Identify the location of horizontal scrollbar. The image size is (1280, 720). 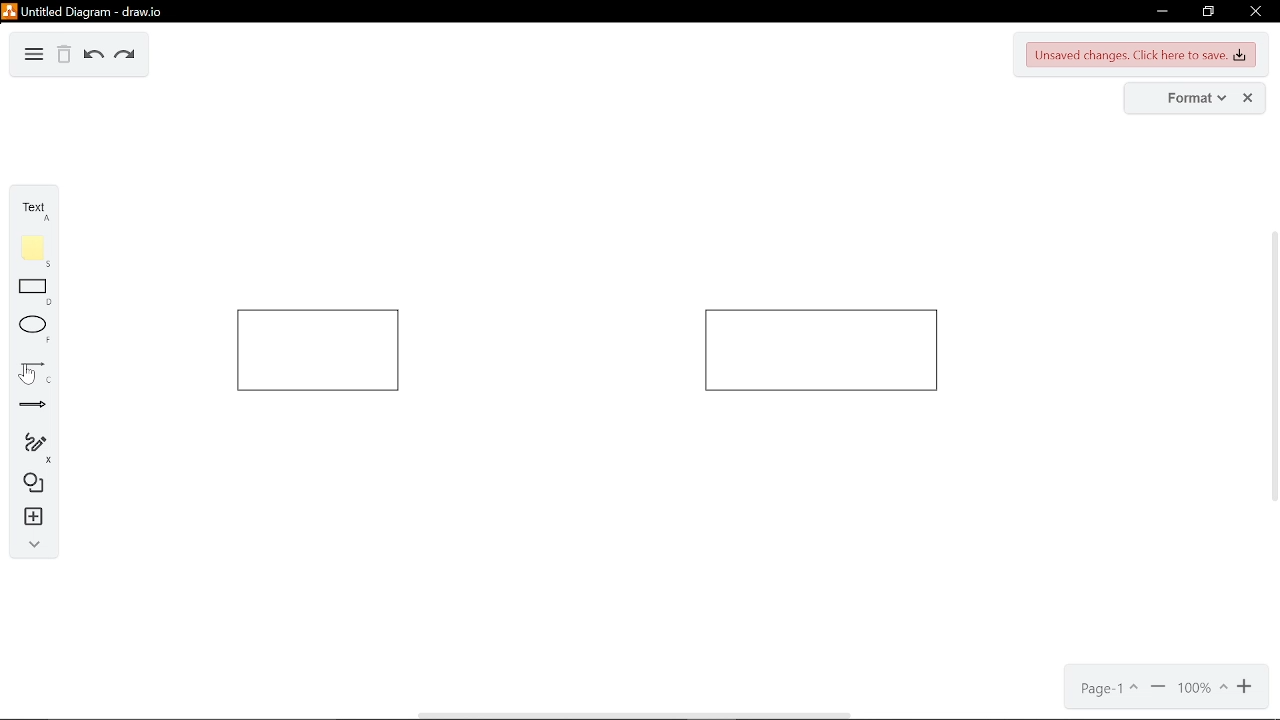
(638, 715).